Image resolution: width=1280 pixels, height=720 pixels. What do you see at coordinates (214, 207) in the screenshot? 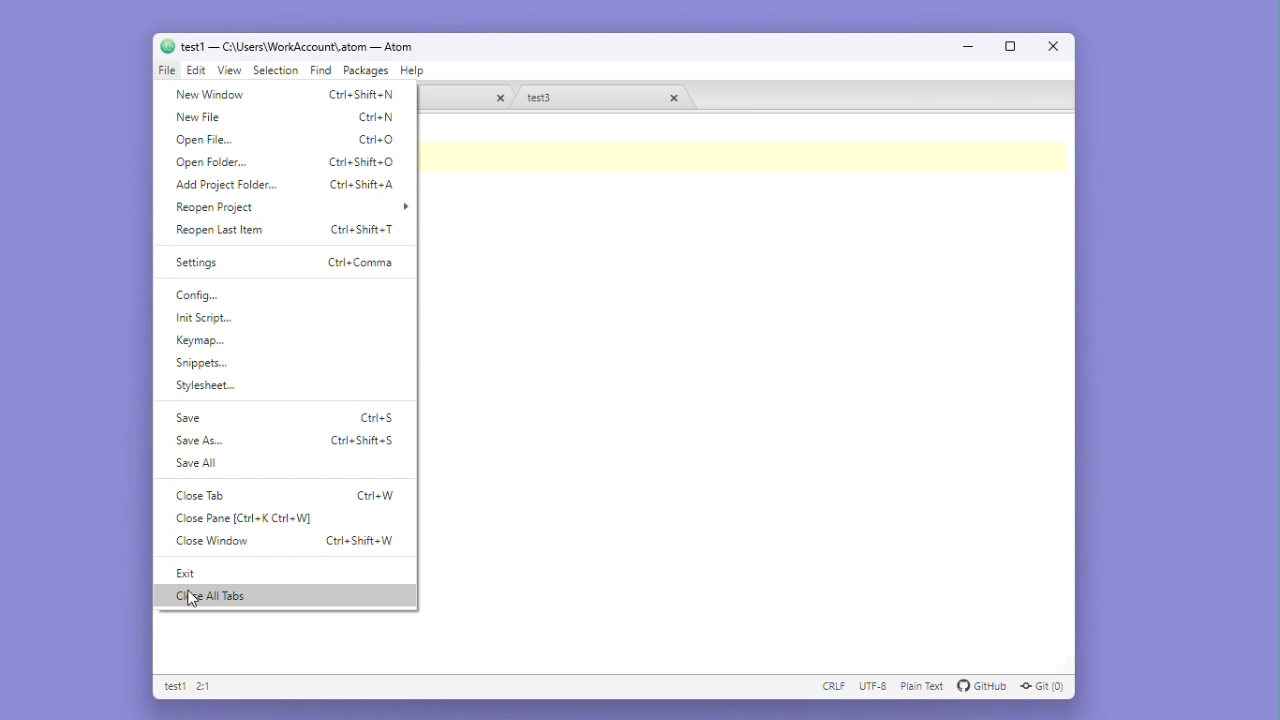
I see `Reopen project` at bounding box center [214, 207].